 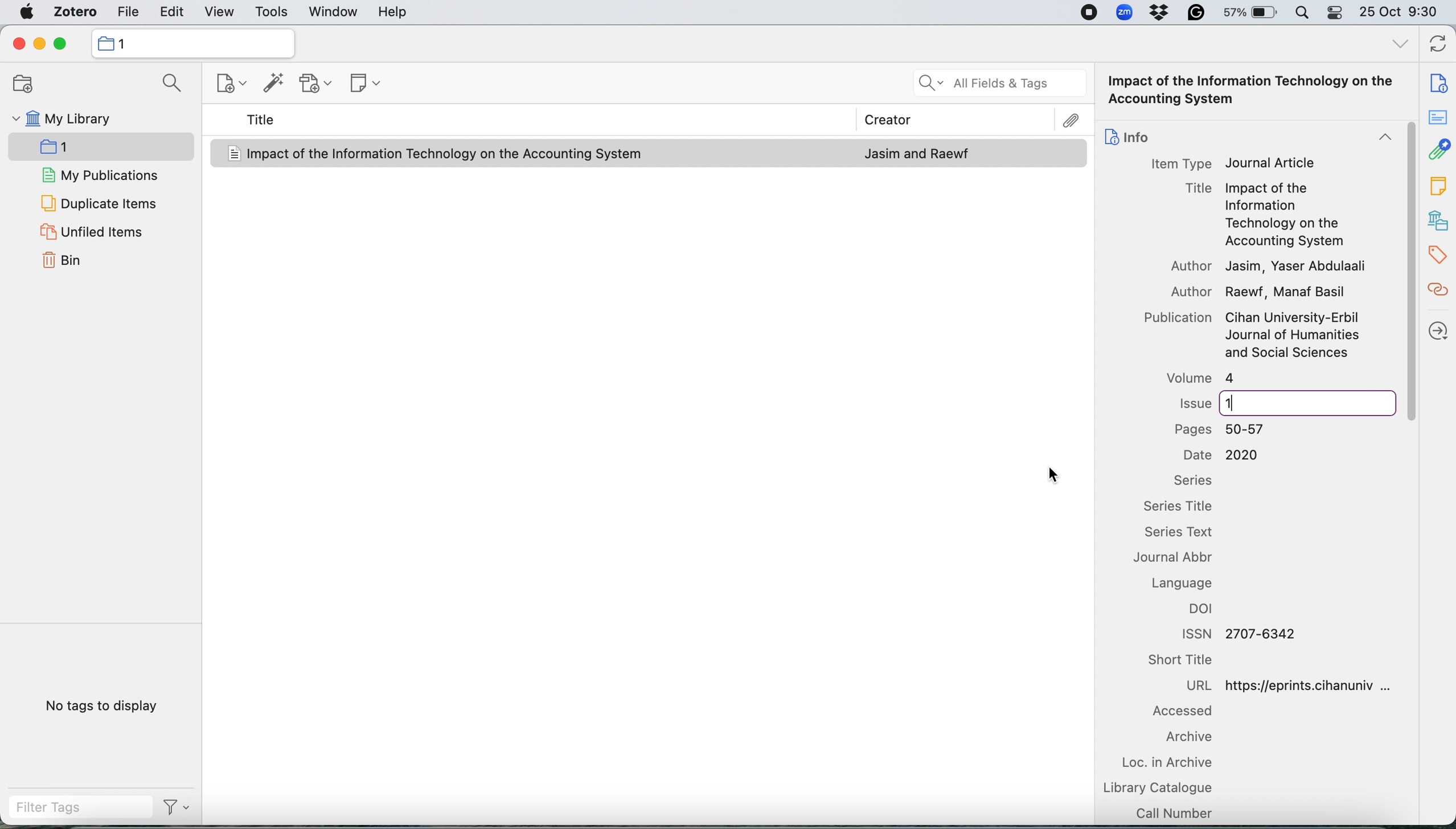 I want to click on filter tags, so click(x=72, y=809).